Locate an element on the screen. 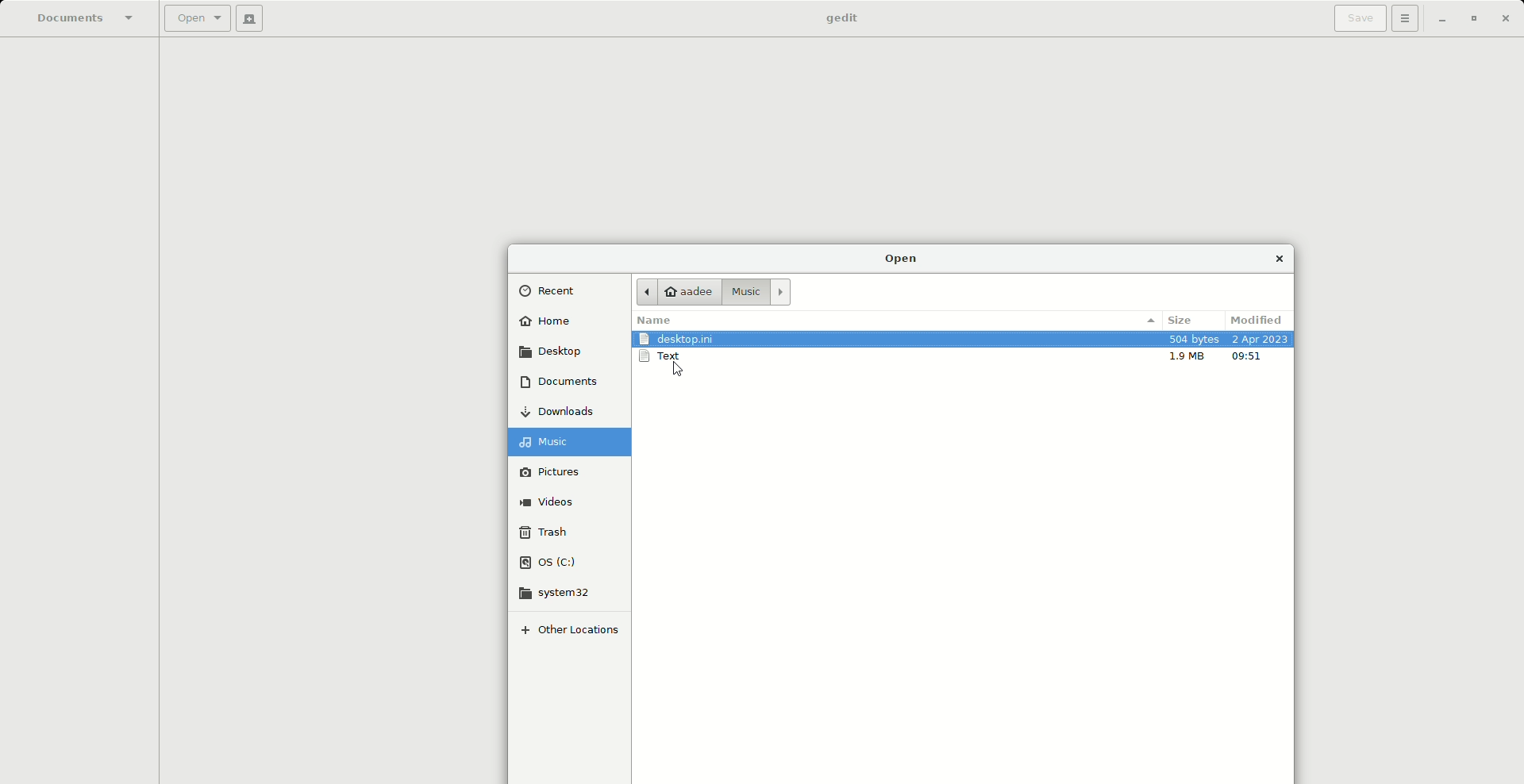 Image resolution: width=1524 pixels, height=784 pixels. Name is located at coordinates (671, 320).